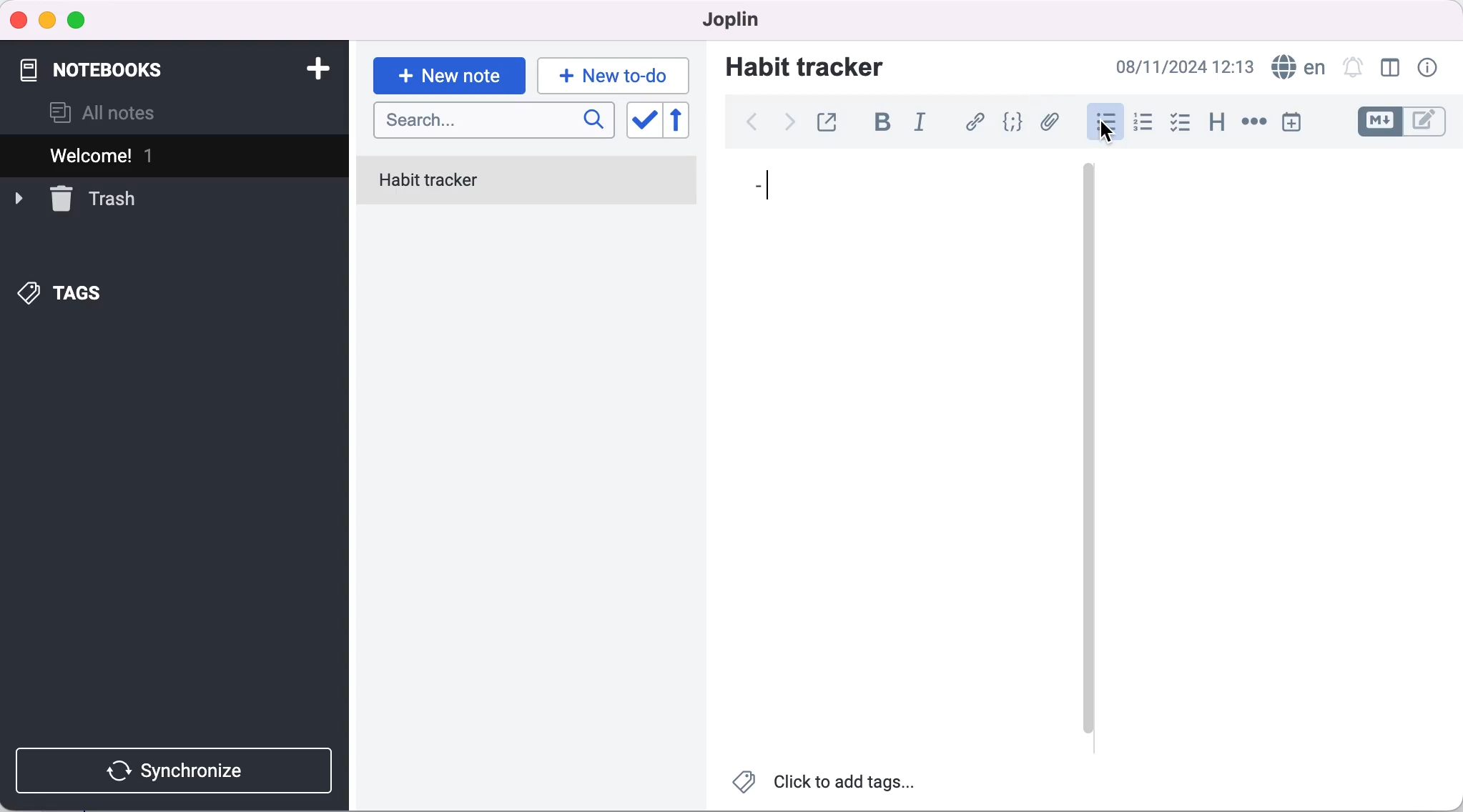 Image resolution: width=1463 pixels, height=812 pixels. I want to click on note properties, so click(1429, 68).